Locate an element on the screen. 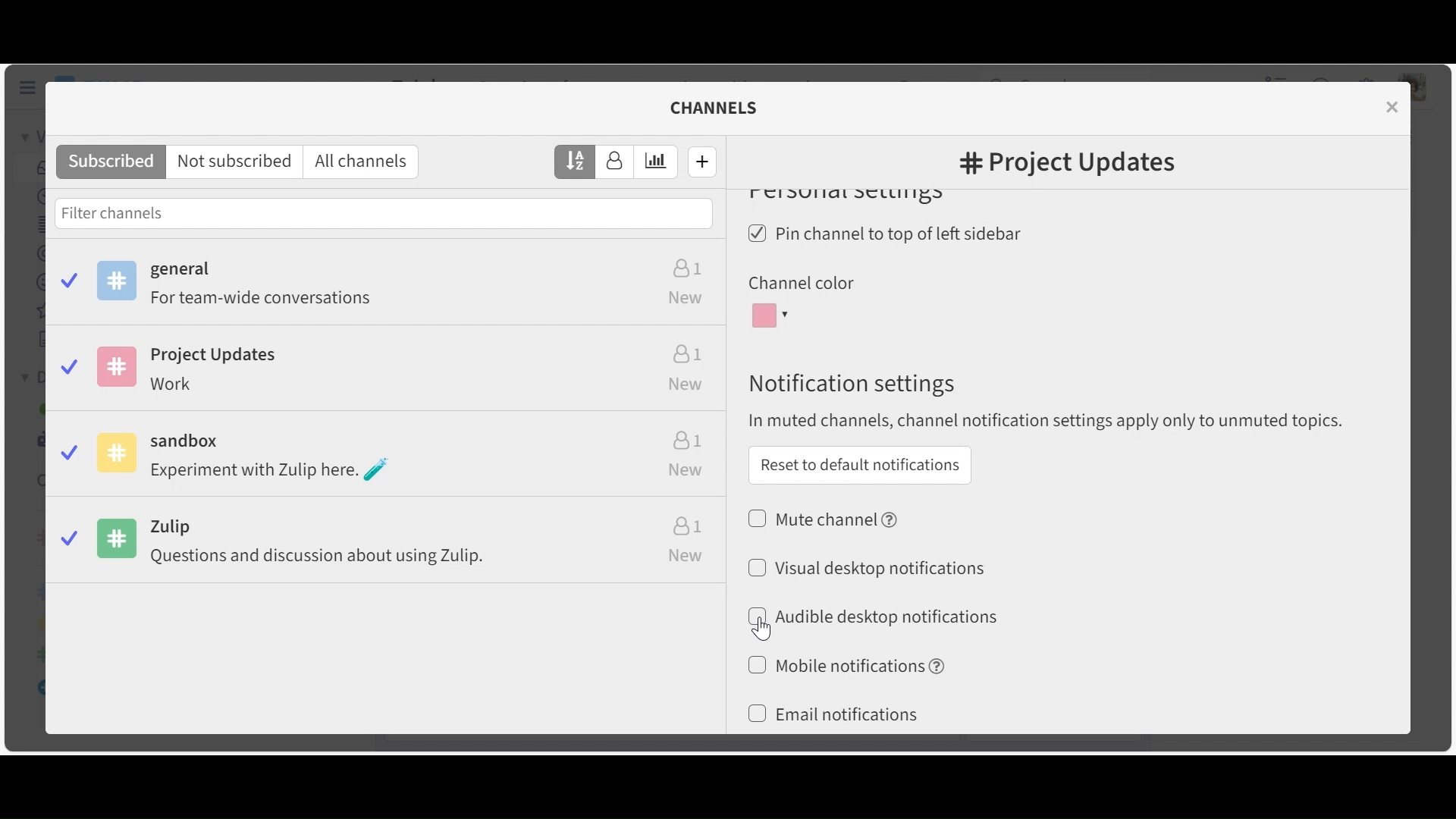 This screenshot has width=1456, height=819. Sort by number of subscribers is located at coordinates (615, 162).